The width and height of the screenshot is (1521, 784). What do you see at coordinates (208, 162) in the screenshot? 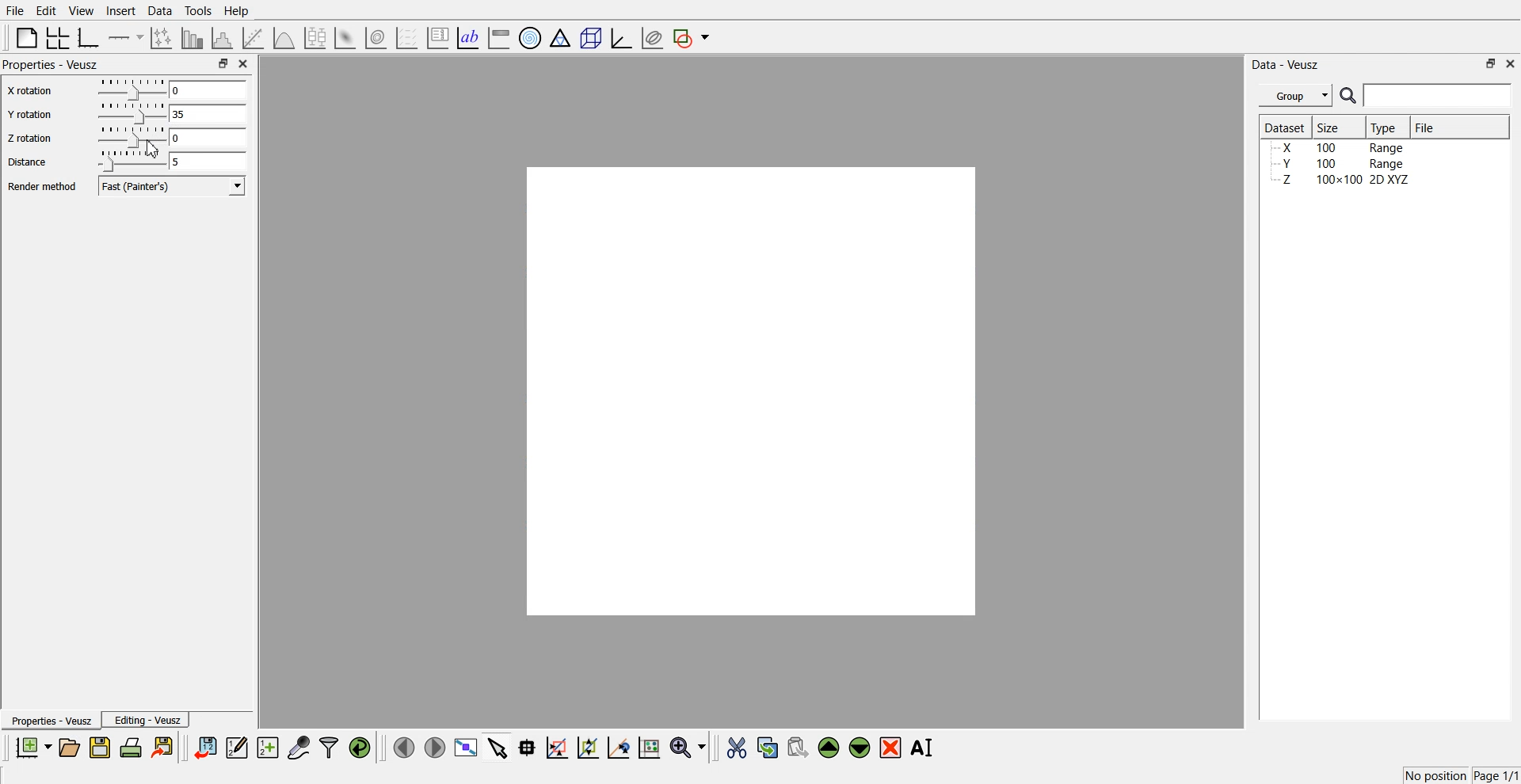
I see `5` at bounding box center [208, 162].